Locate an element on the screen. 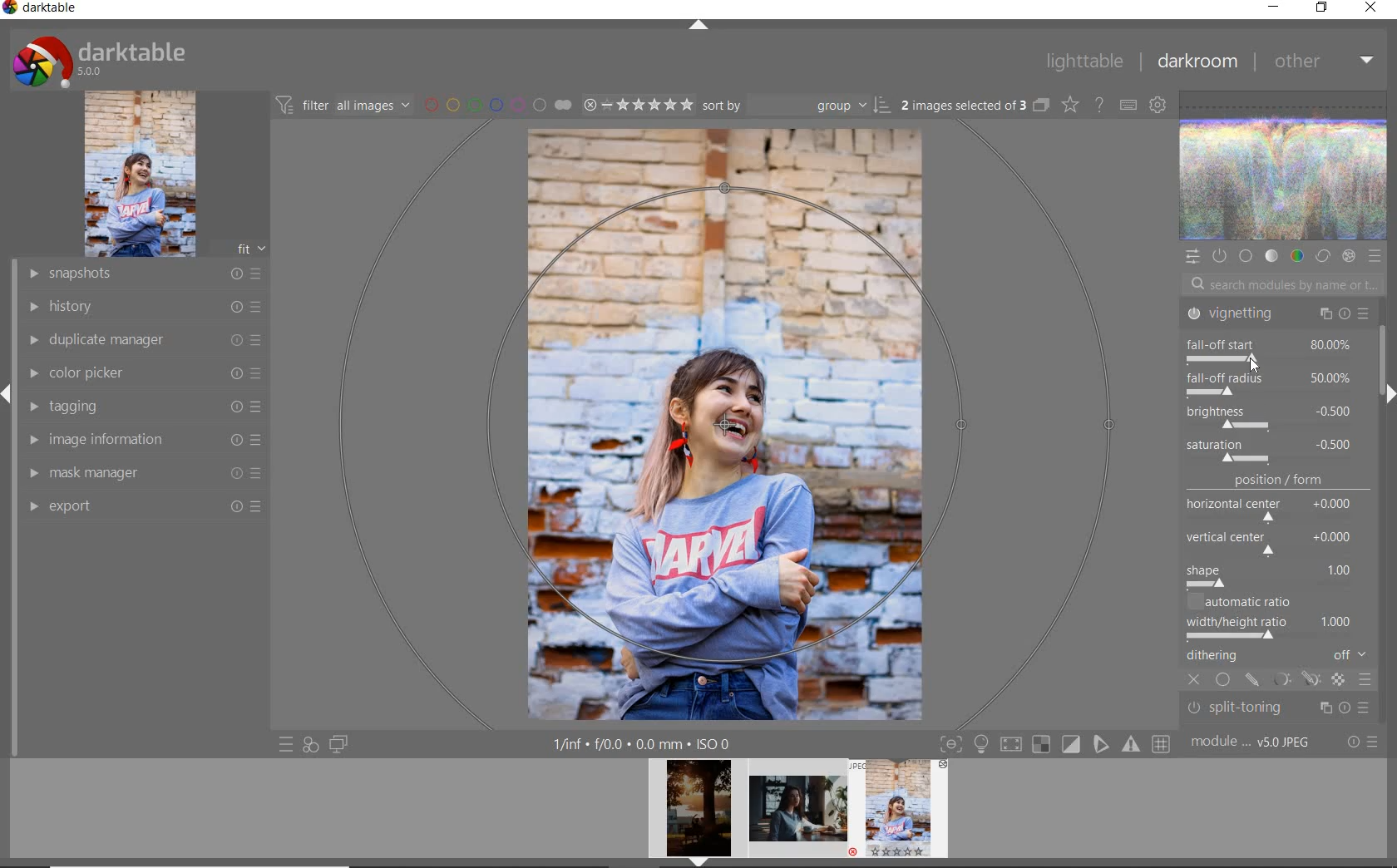 The height and width of the screenshot is (868, 1397). lens correction is located at coordinates (1275, 713).